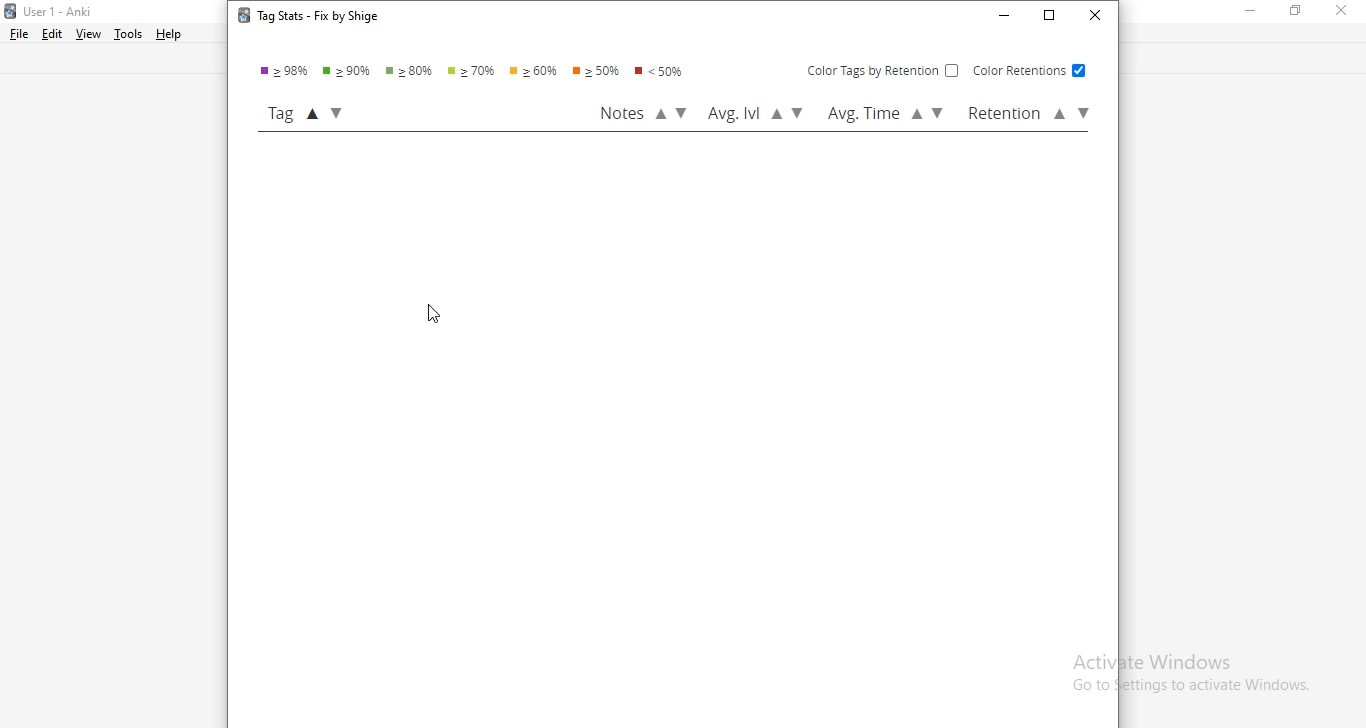 This screenshot has width=1366, height=728. What do you see at coordinates (665, 73) in the screenshot?
I see `<50%` at bounding box center [665, 73].